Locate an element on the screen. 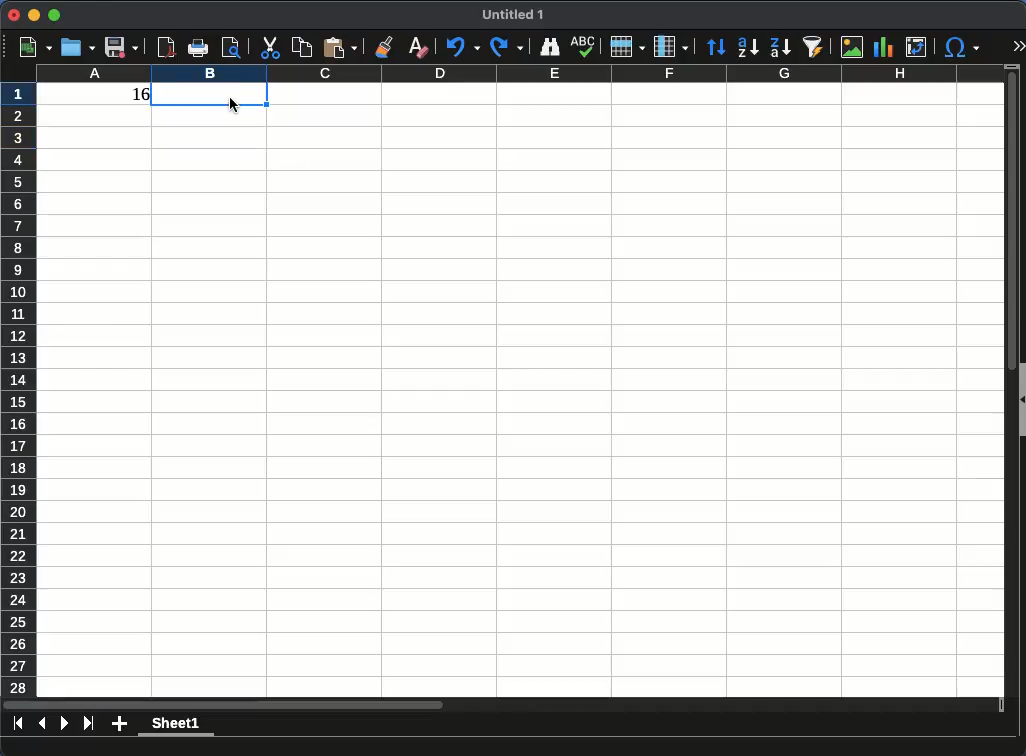  autofilter is located at coordinates (814, 47).